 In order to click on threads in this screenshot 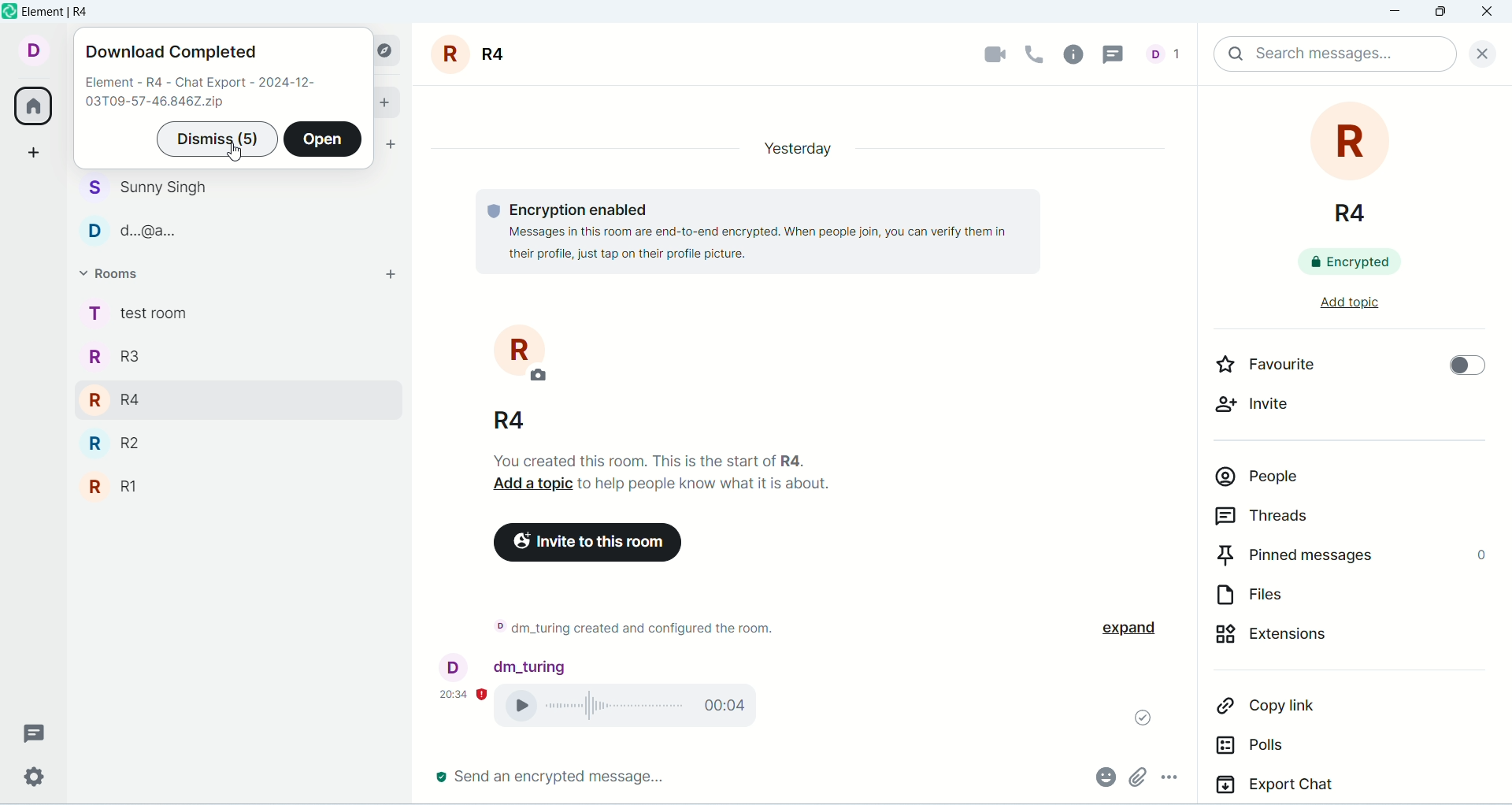, I will do `click(35, 733)`.